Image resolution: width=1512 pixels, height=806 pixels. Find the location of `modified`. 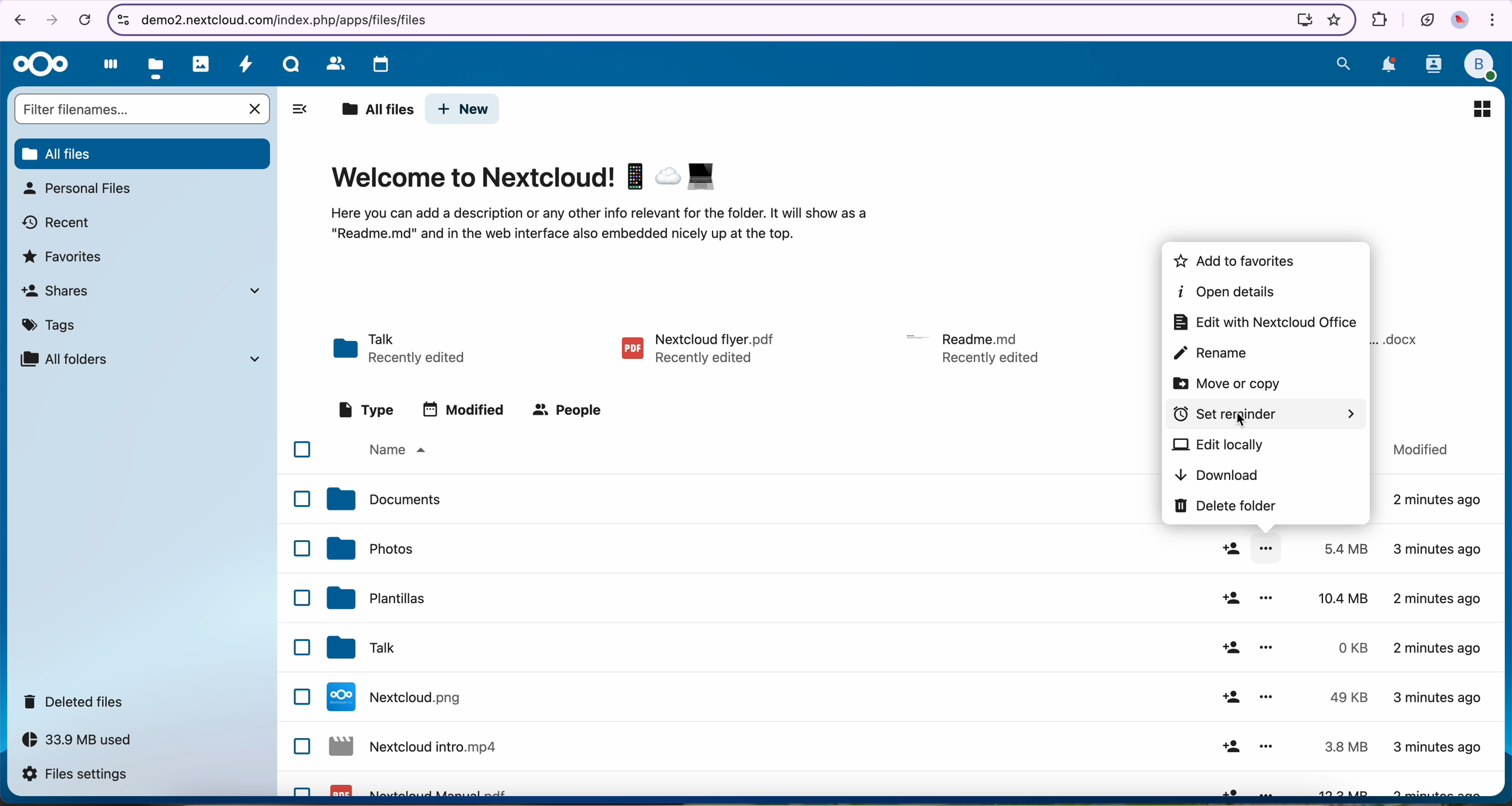

modified is located at coordinates (464, 409).